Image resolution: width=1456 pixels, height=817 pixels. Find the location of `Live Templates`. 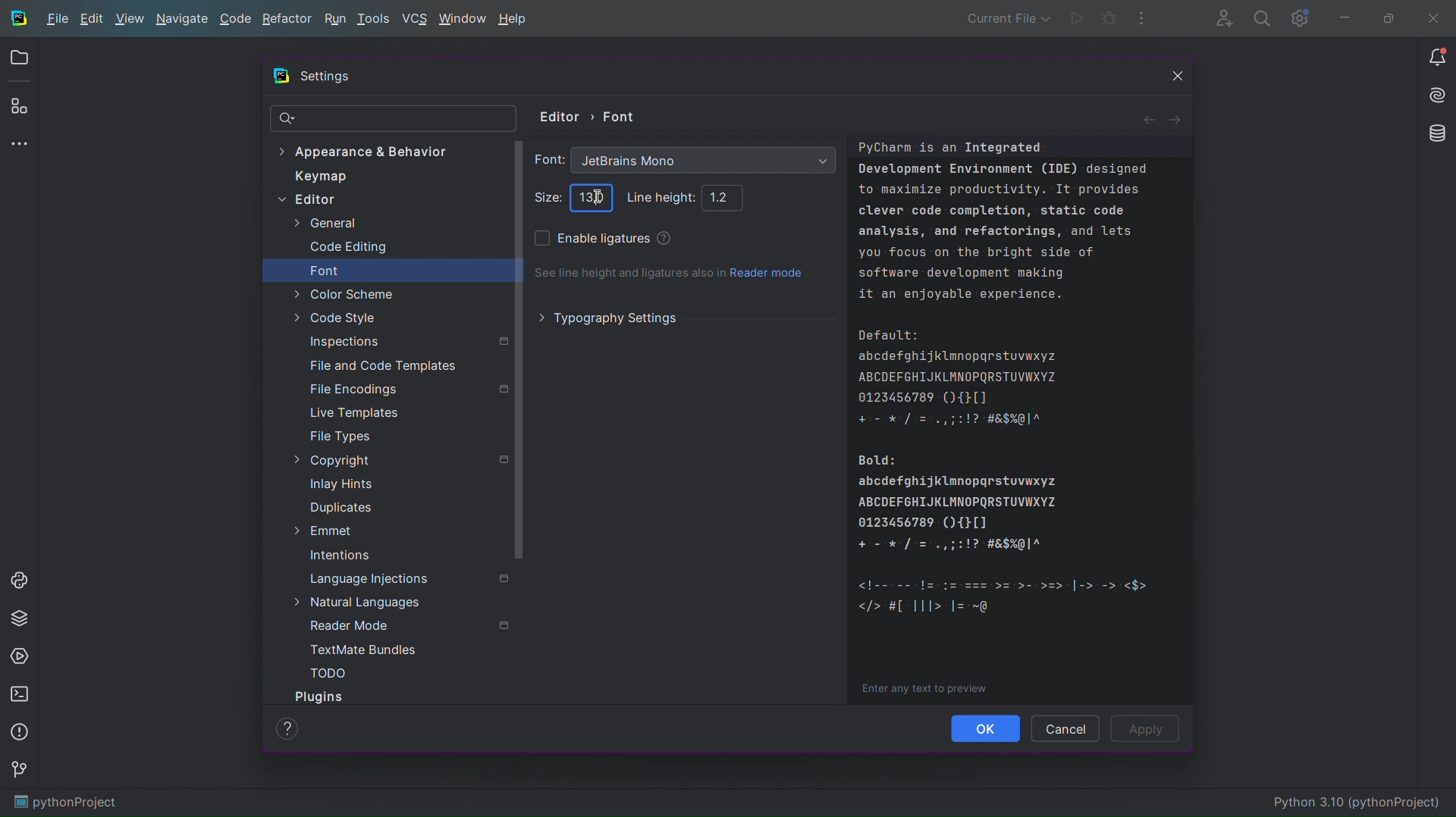

Live Templates is located at coordinates (353, 412).